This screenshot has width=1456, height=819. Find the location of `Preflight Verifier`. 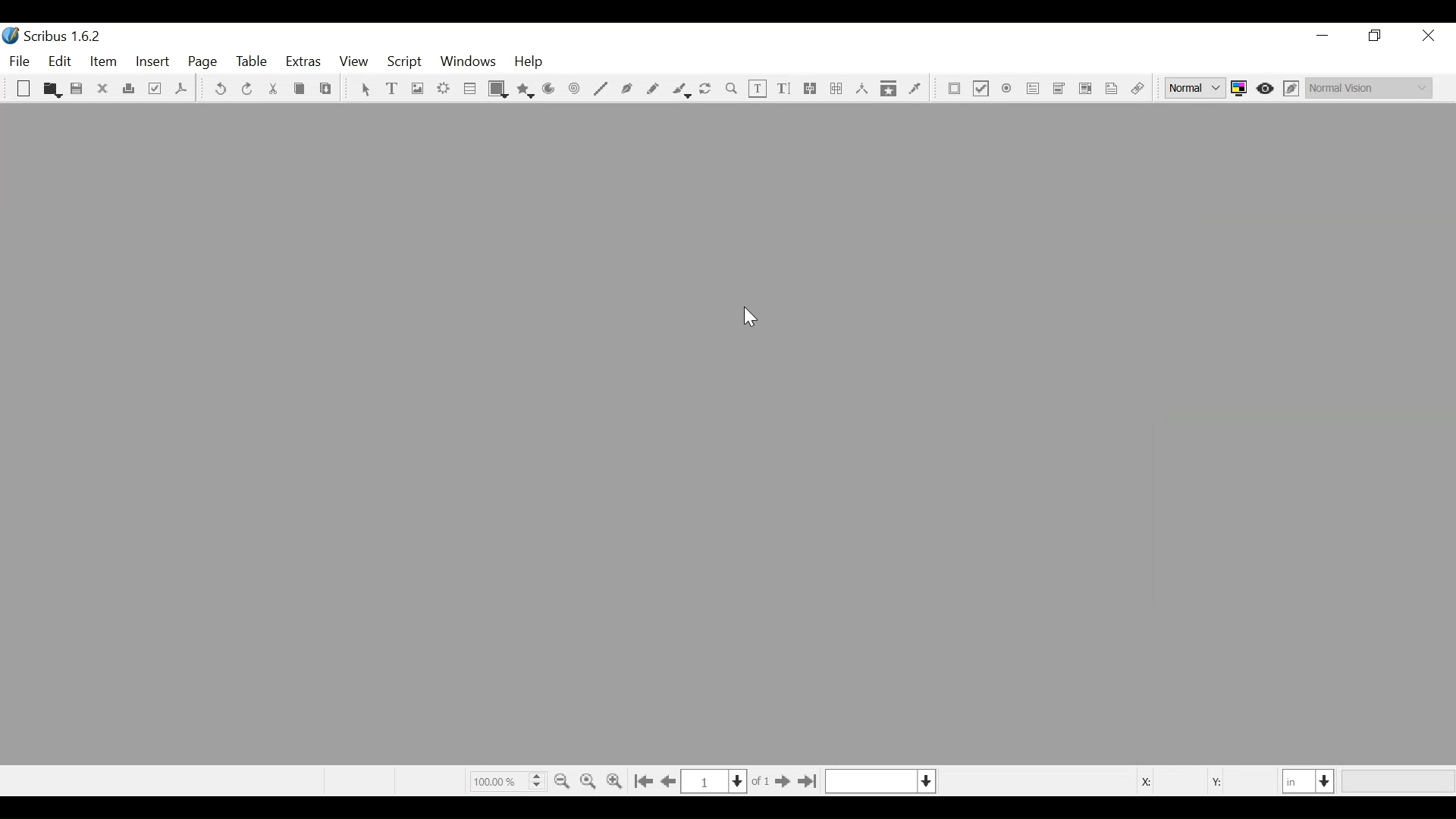

Preflight Verifier is located at coordinates (156, 90).